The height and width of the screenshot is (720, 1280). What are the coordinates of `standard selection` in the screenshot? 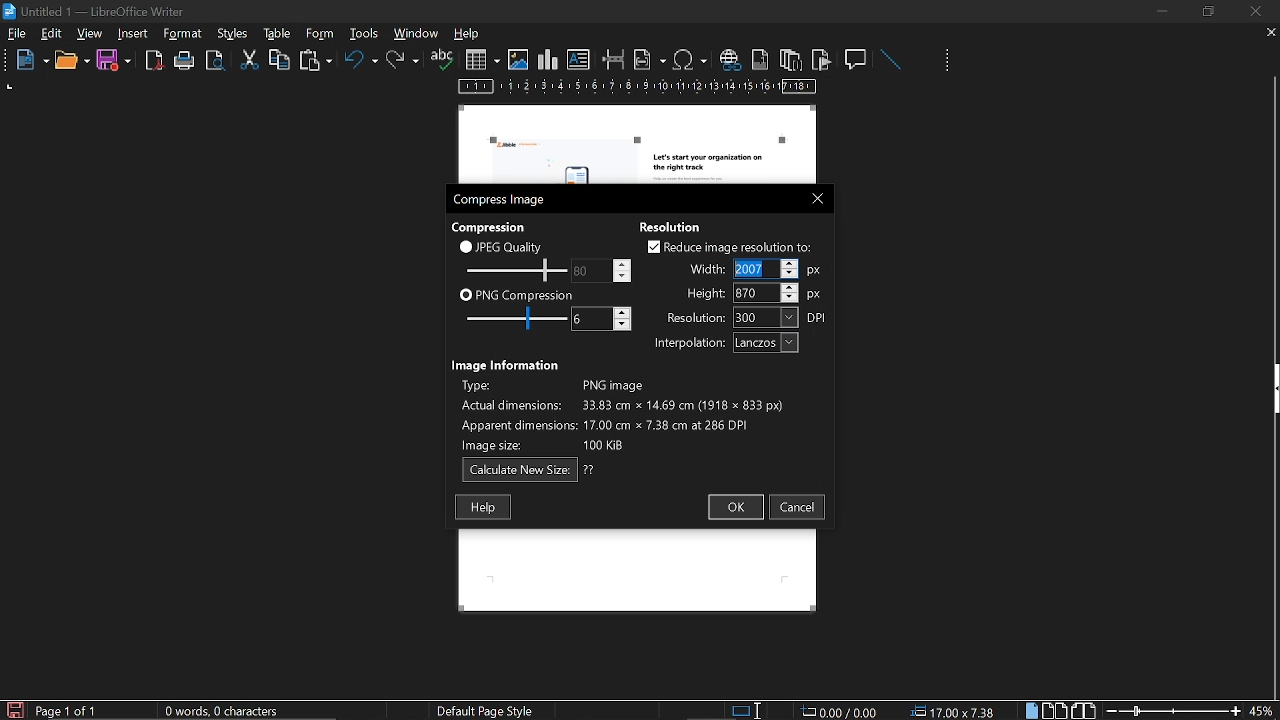 It's located at (748, 710).